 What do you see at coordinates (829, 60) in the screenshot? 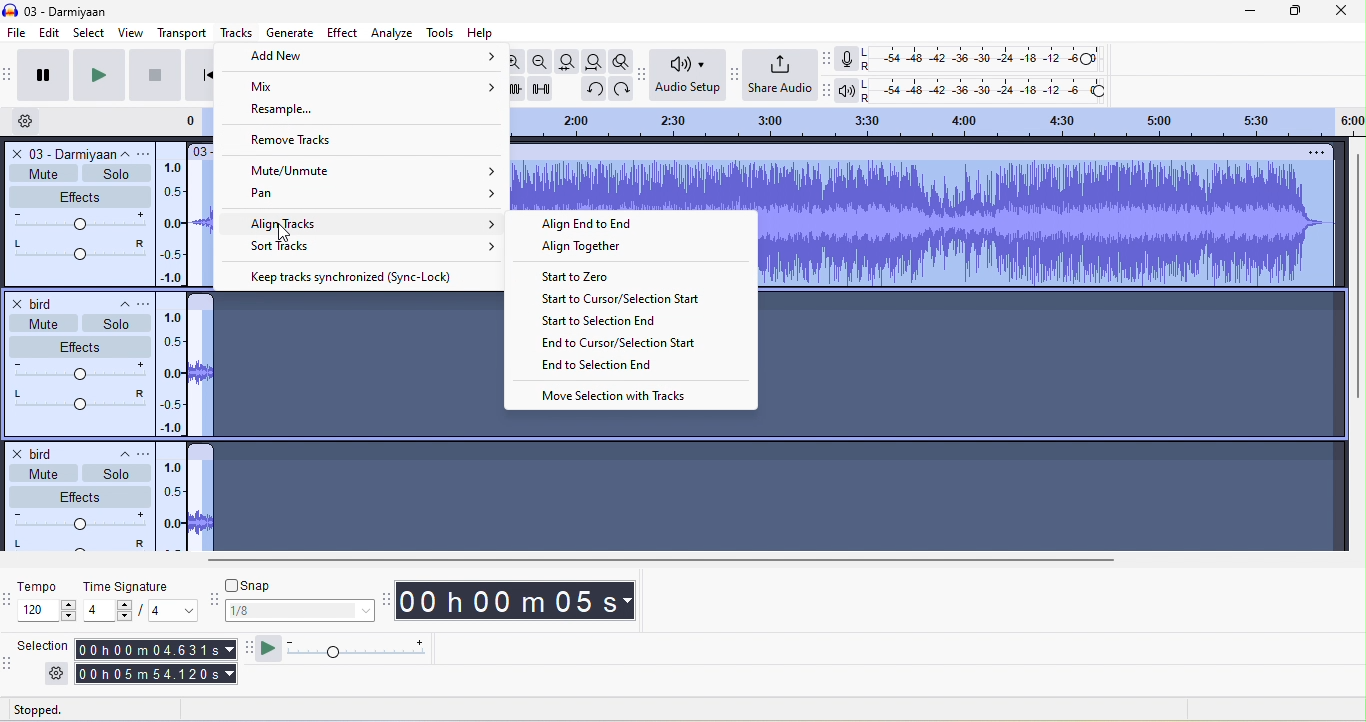
I see `audacity recording meter toolbar` at bounding box center [829, 60].